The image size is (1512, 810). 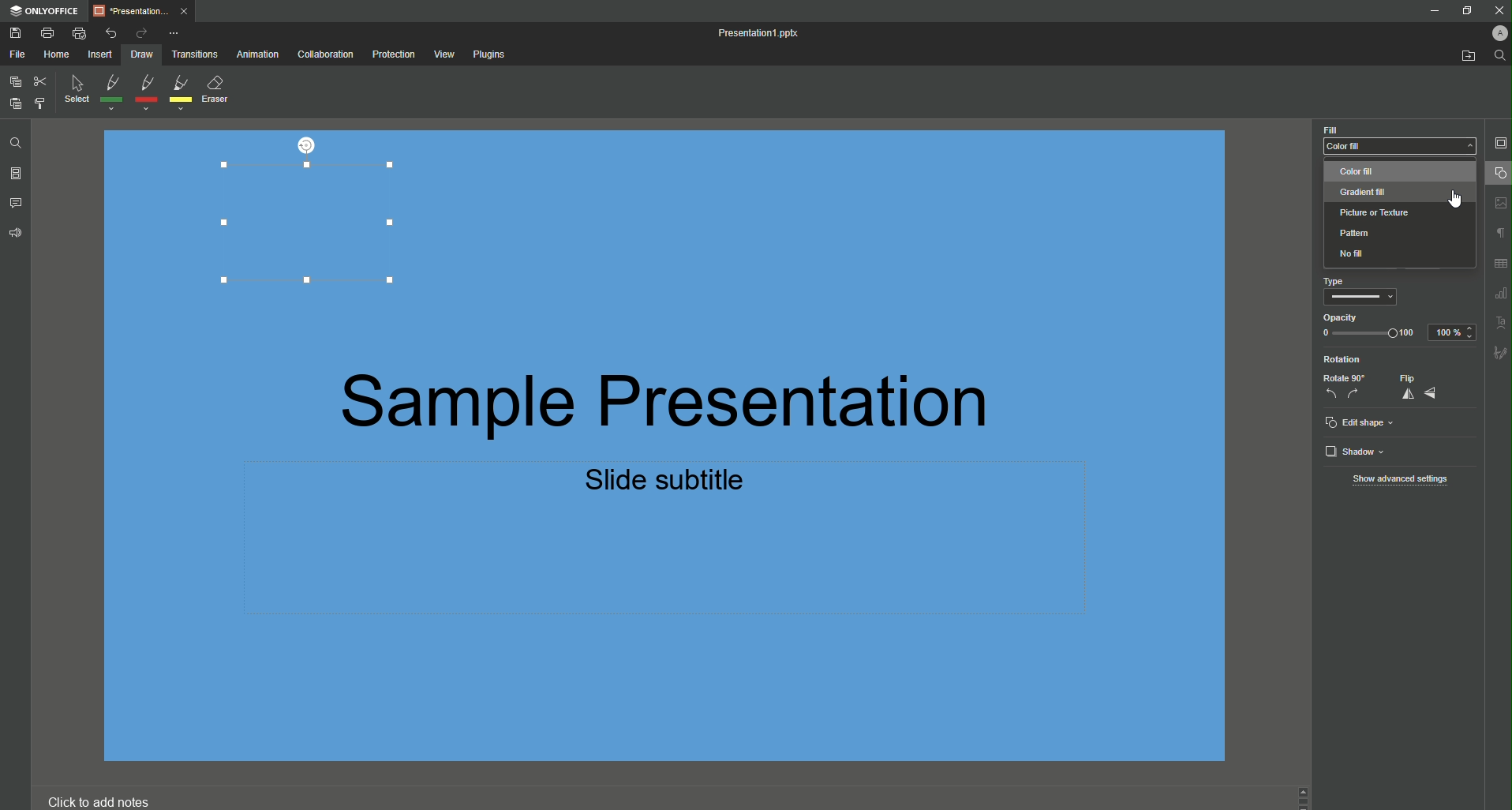 What do you see at coordinates (15, 103) in the screenshot?
I see `Paste` at bounding box center [15, 103].